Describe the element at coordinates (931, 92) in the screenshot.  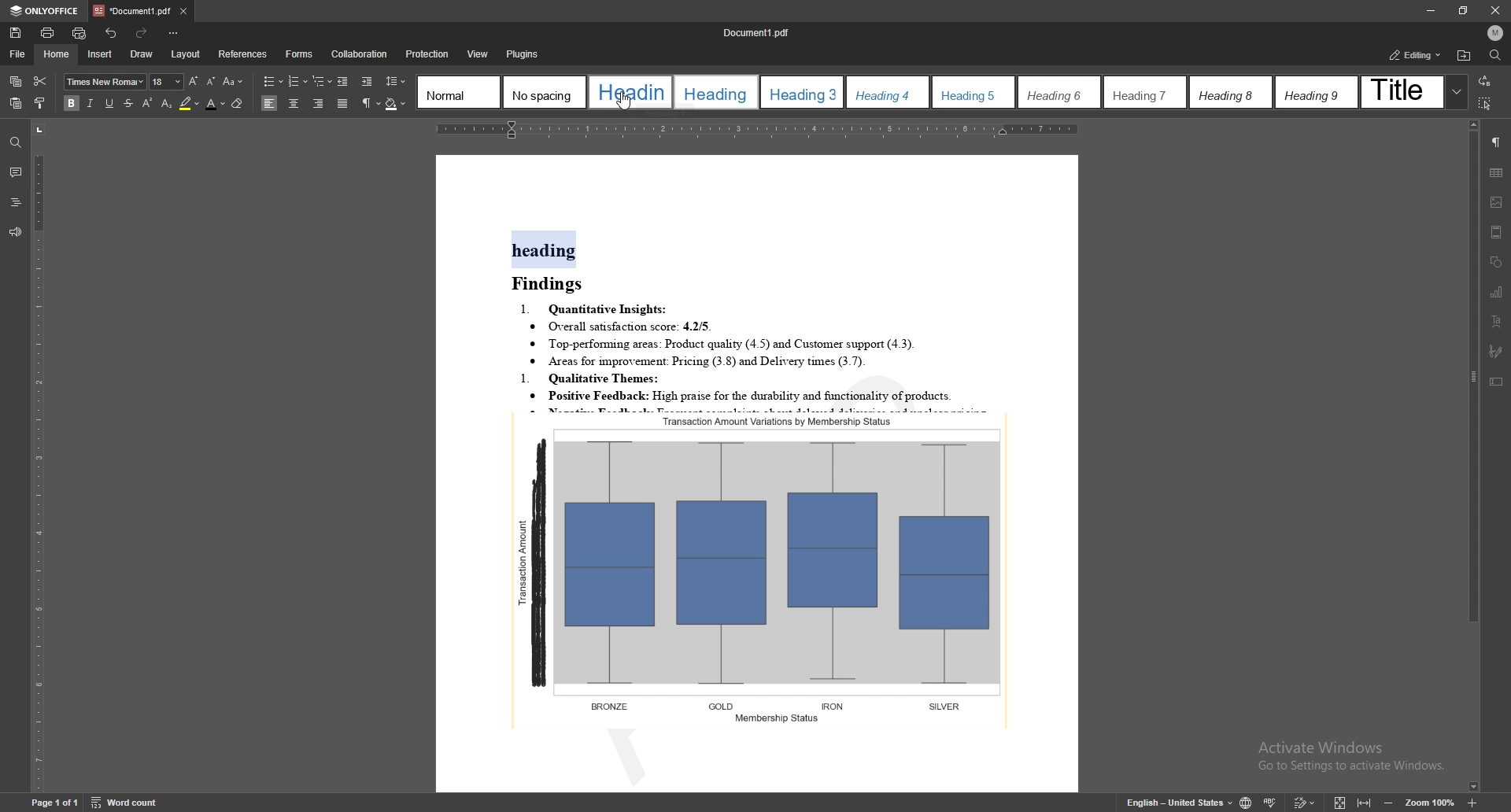
I see `heading styles` at that location.